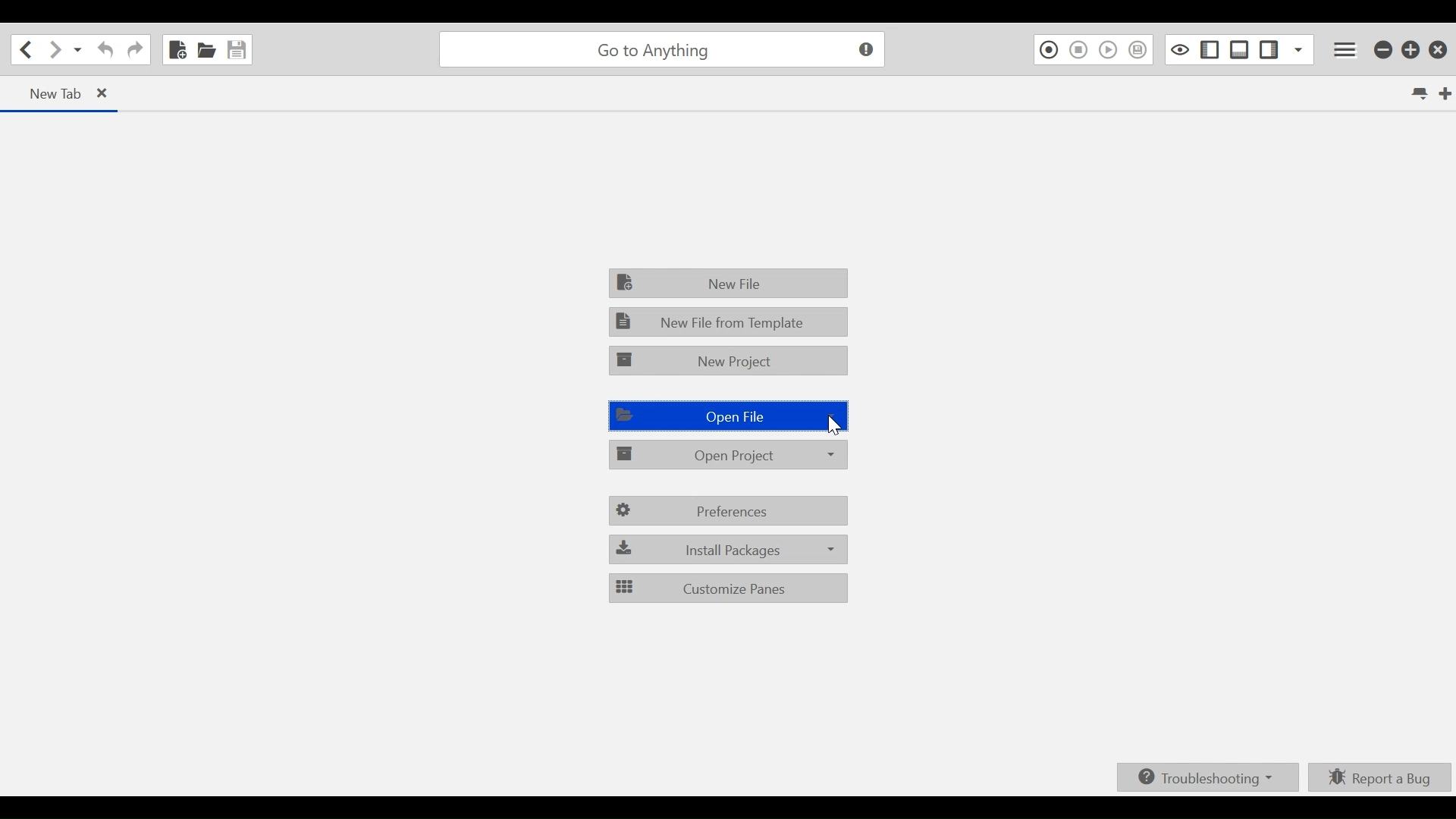  I want to click on Redo, so click(135, 49).